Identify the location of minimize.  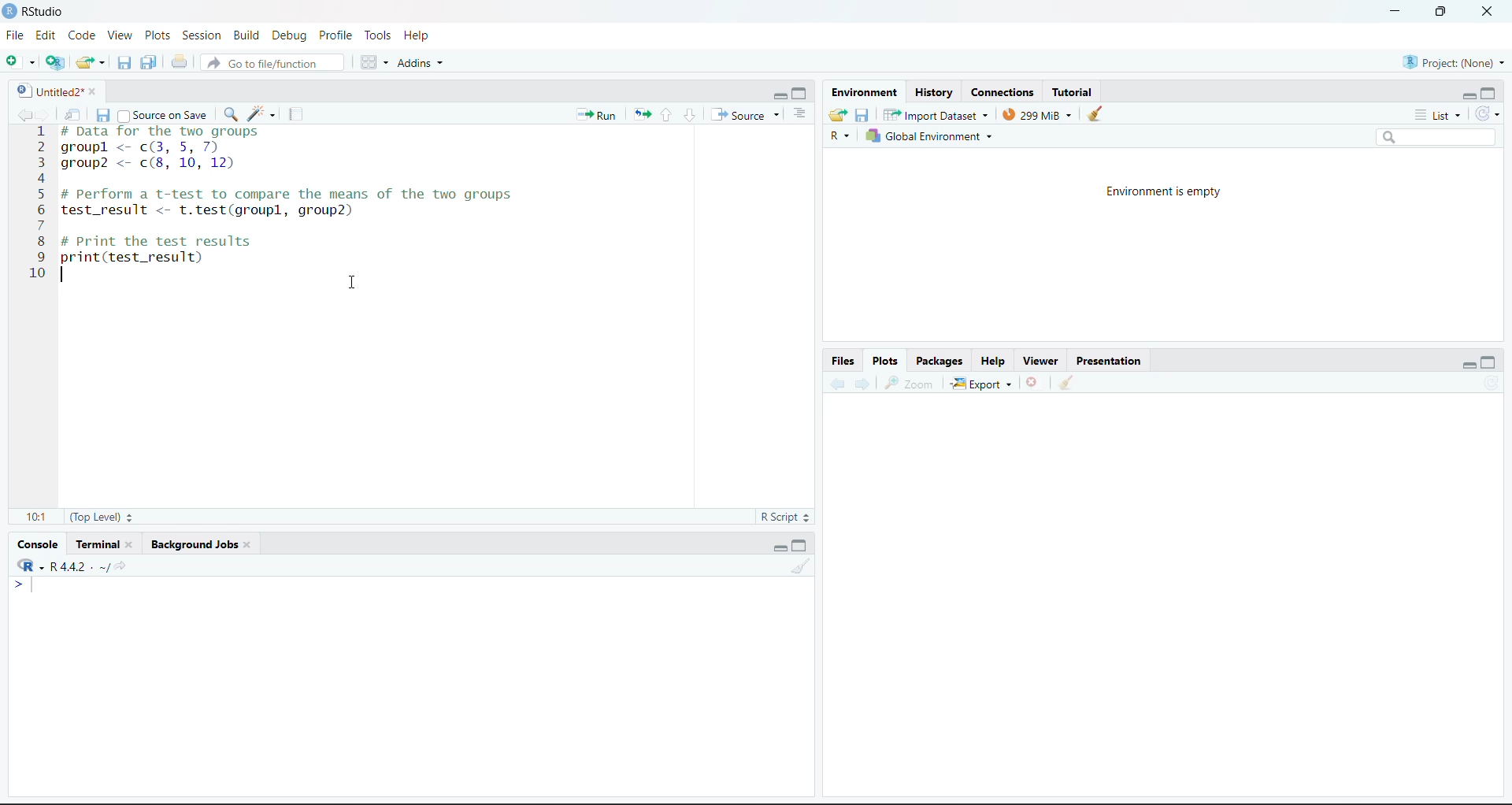
(778, 95).